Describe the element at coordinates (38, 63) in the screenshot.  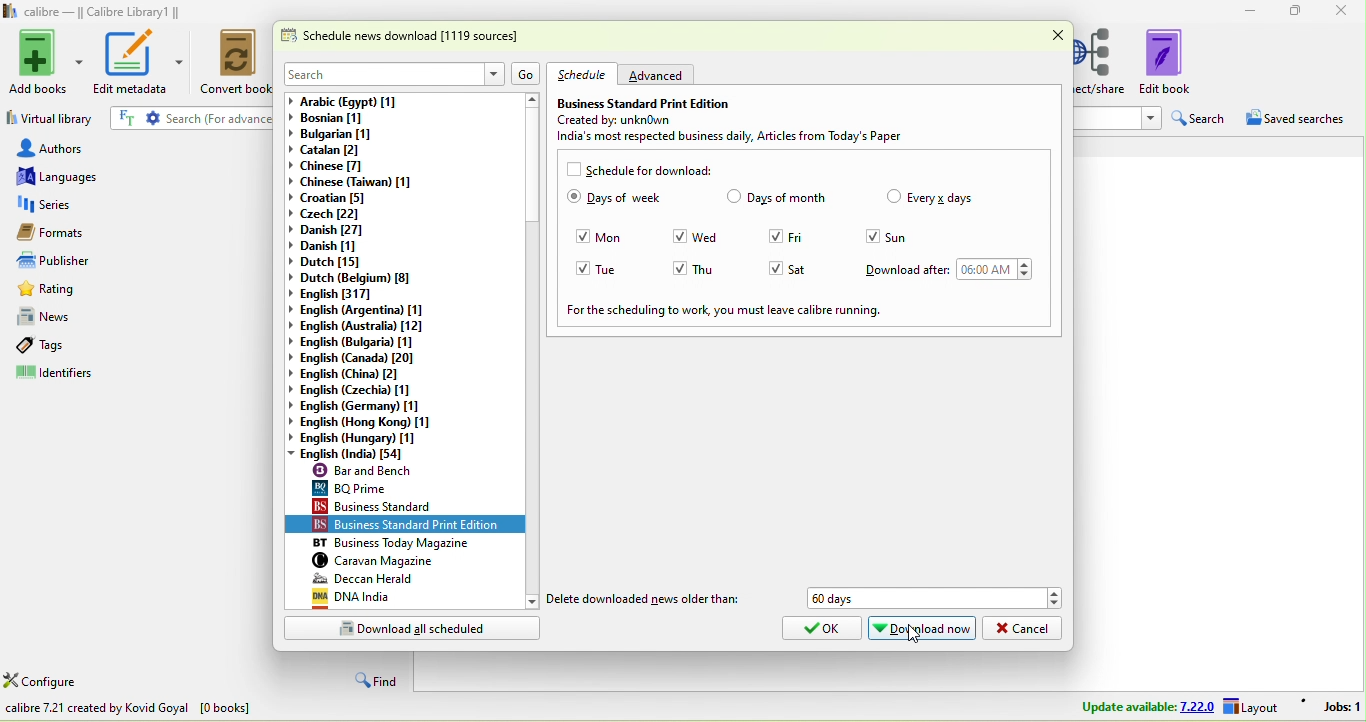
I see `add books` at that location.